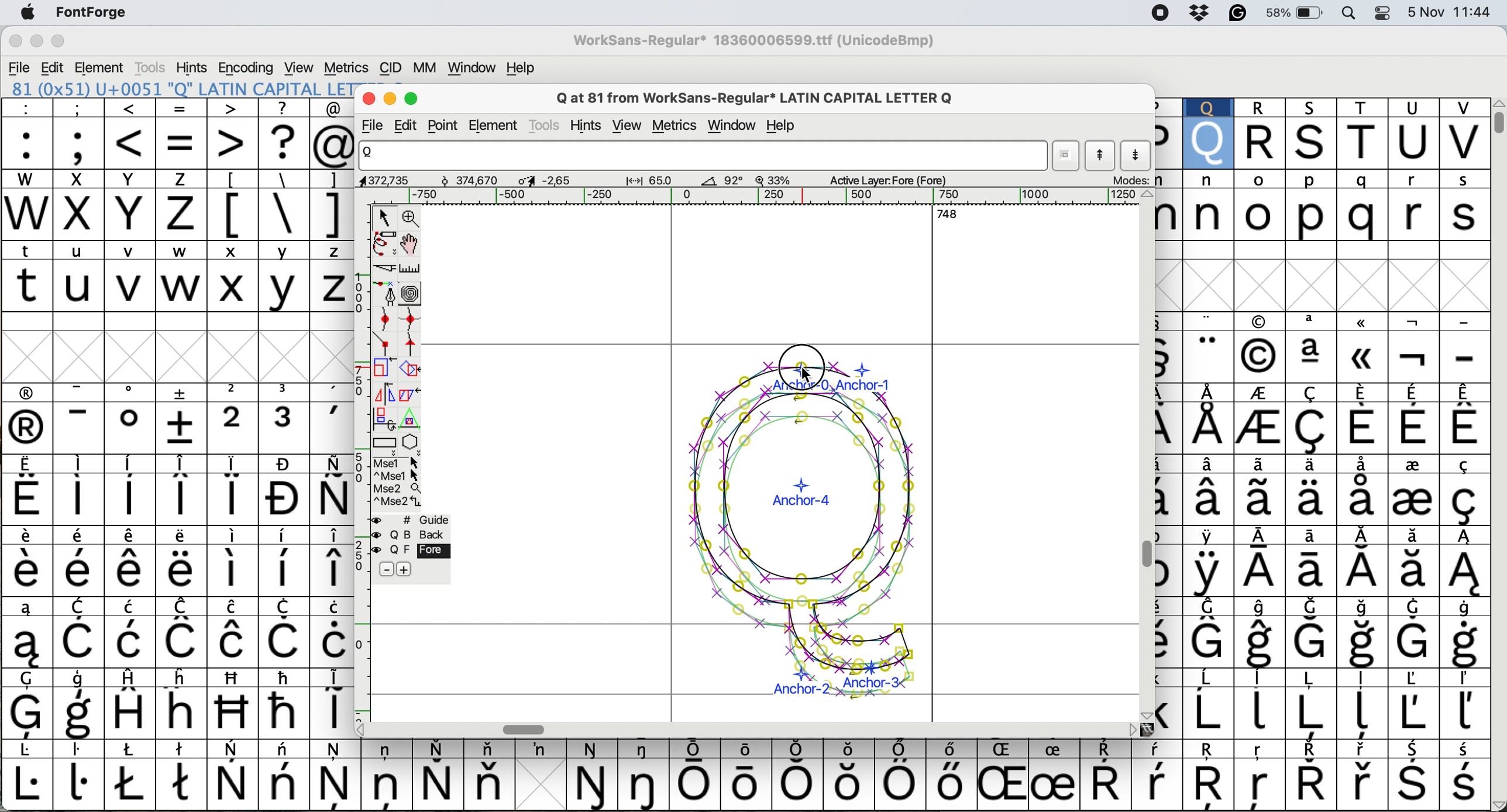 The image size is (1507, 812). Describe the element at coordinates (411, 219) in the screenshot. I see `zoom in` at that location.